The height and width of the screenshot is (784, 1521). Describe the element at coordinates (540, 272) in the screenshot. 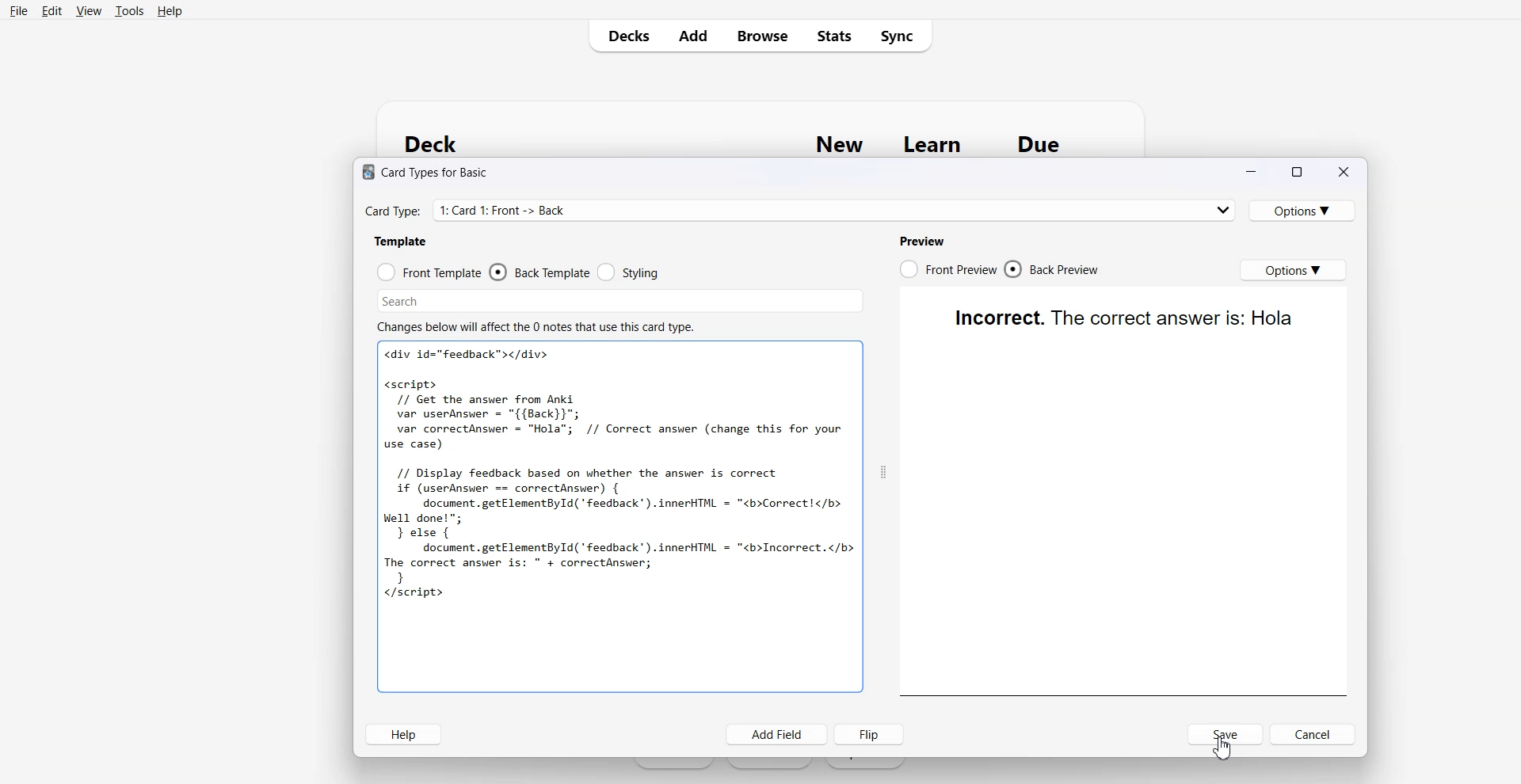

I see `Back template` at that location.